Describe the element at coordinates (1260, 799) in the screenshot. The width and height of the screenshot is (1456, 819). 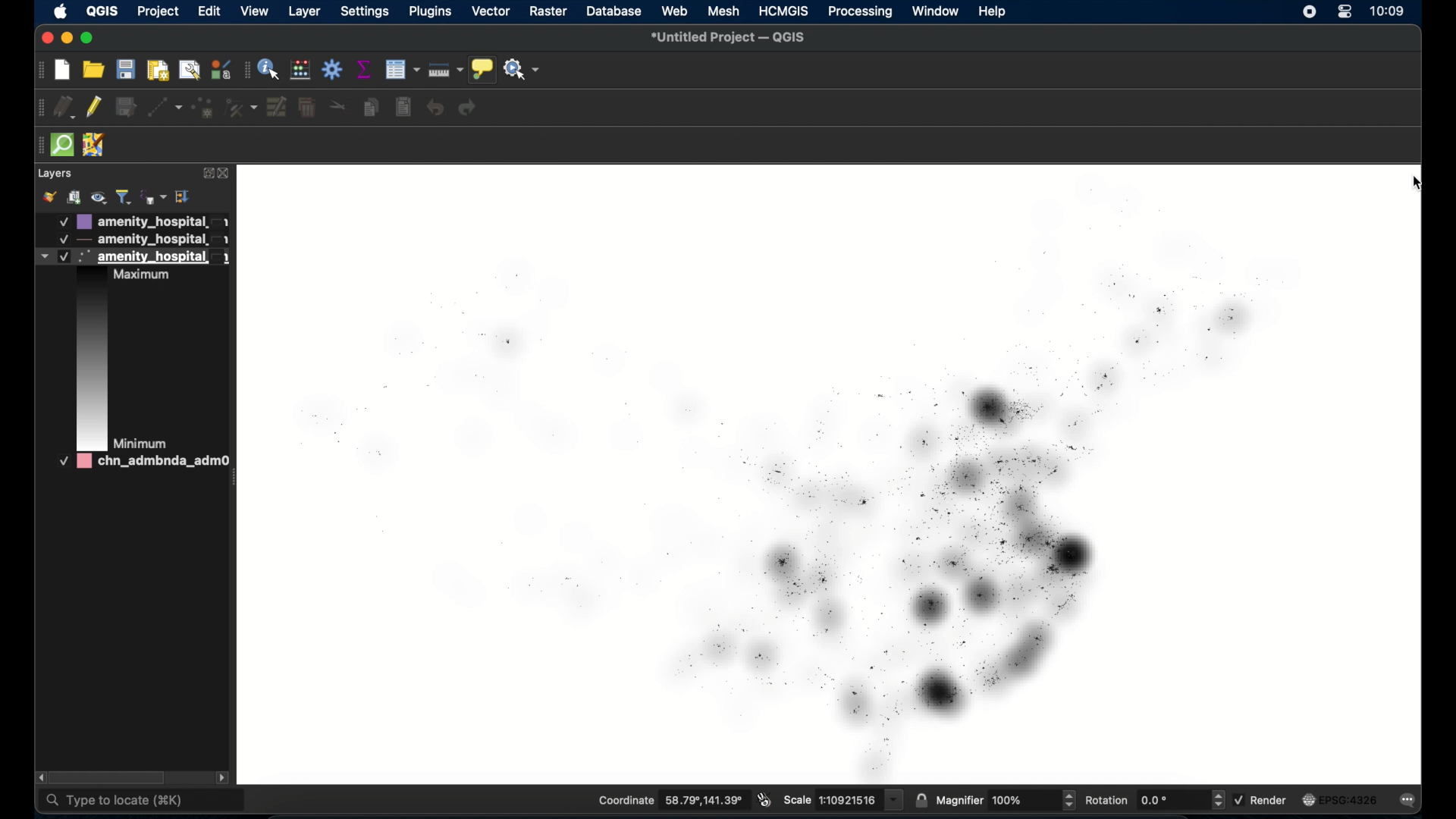
I see `render` at that location.